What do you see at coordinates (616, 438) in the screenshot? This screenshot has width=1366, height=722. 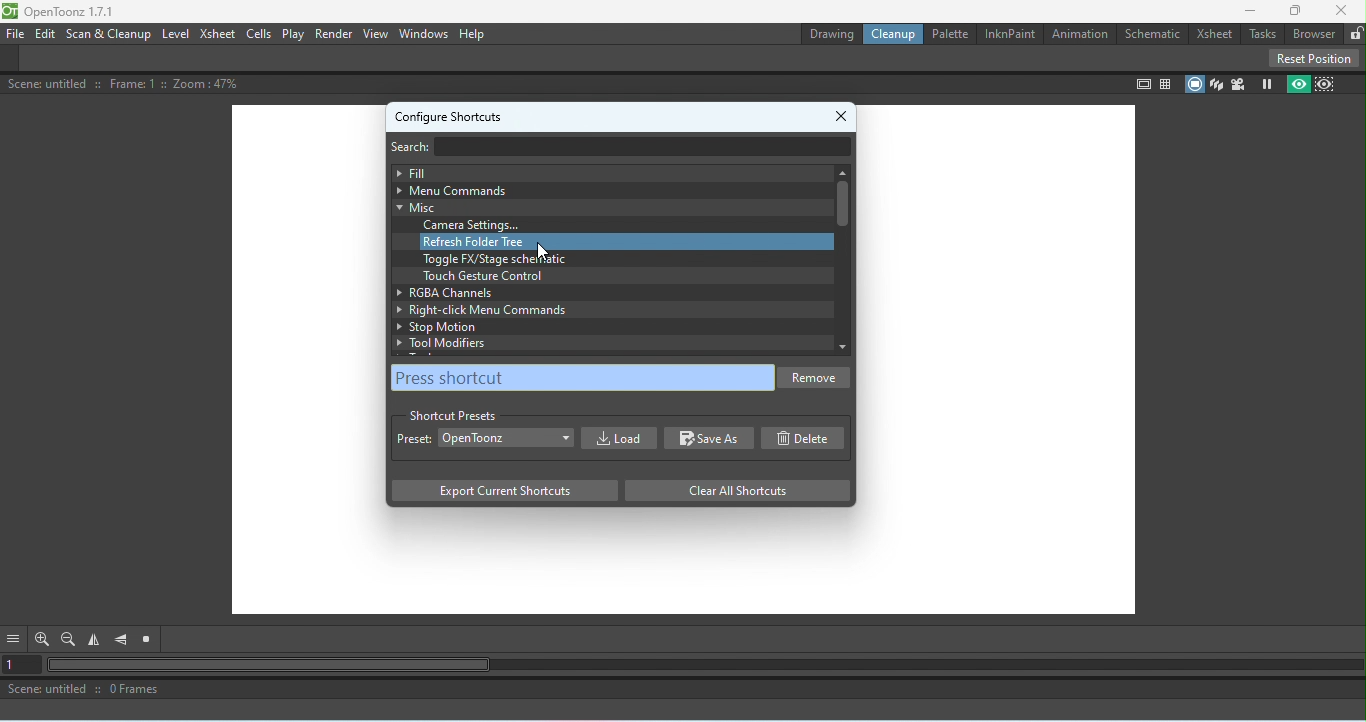 I see `Load` at bounding box center [616, 438].